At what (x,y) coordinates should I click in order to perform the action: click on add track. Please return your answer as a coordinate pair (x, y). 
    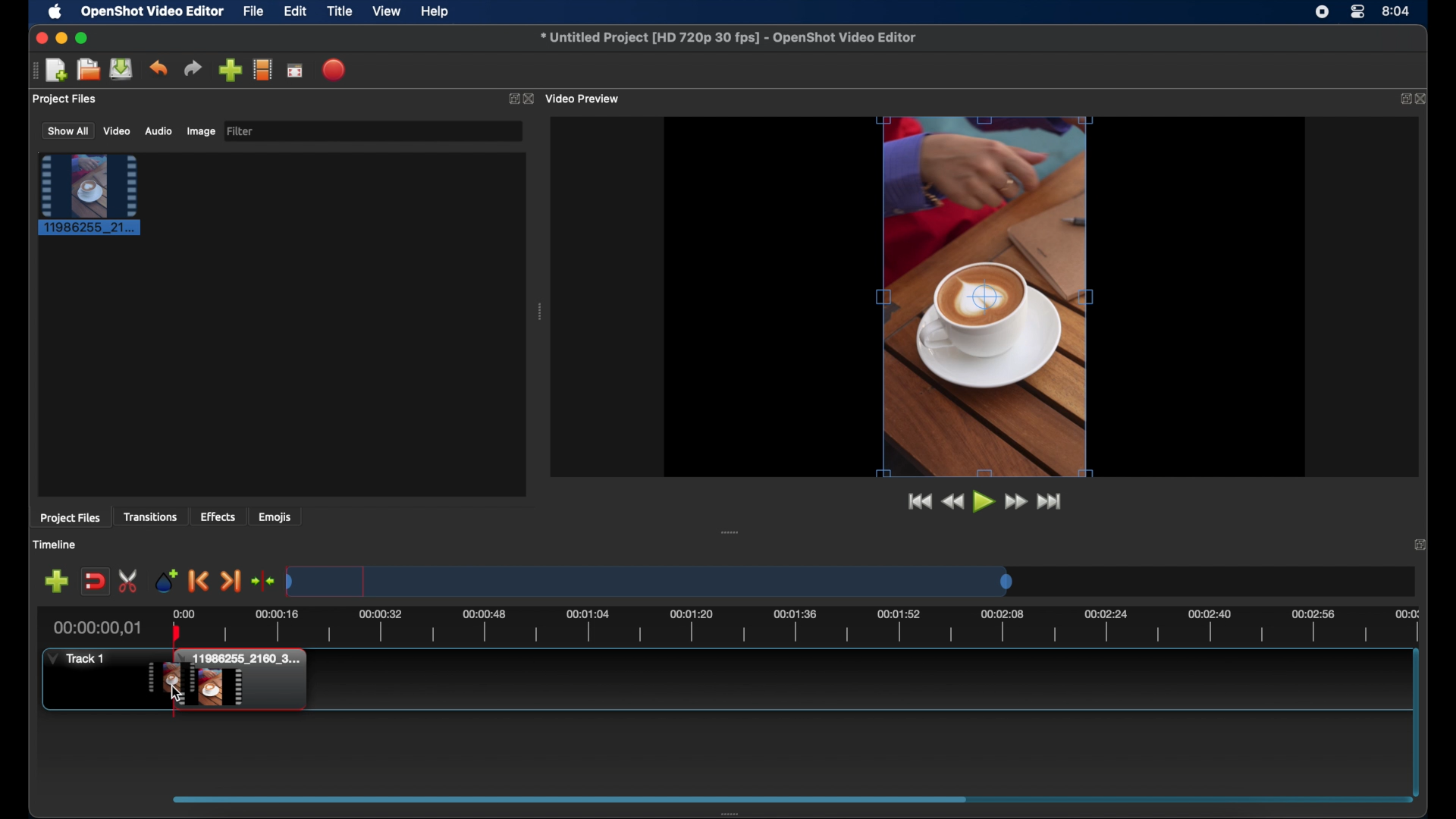
    Looking at the image, I should click on (56, 581).